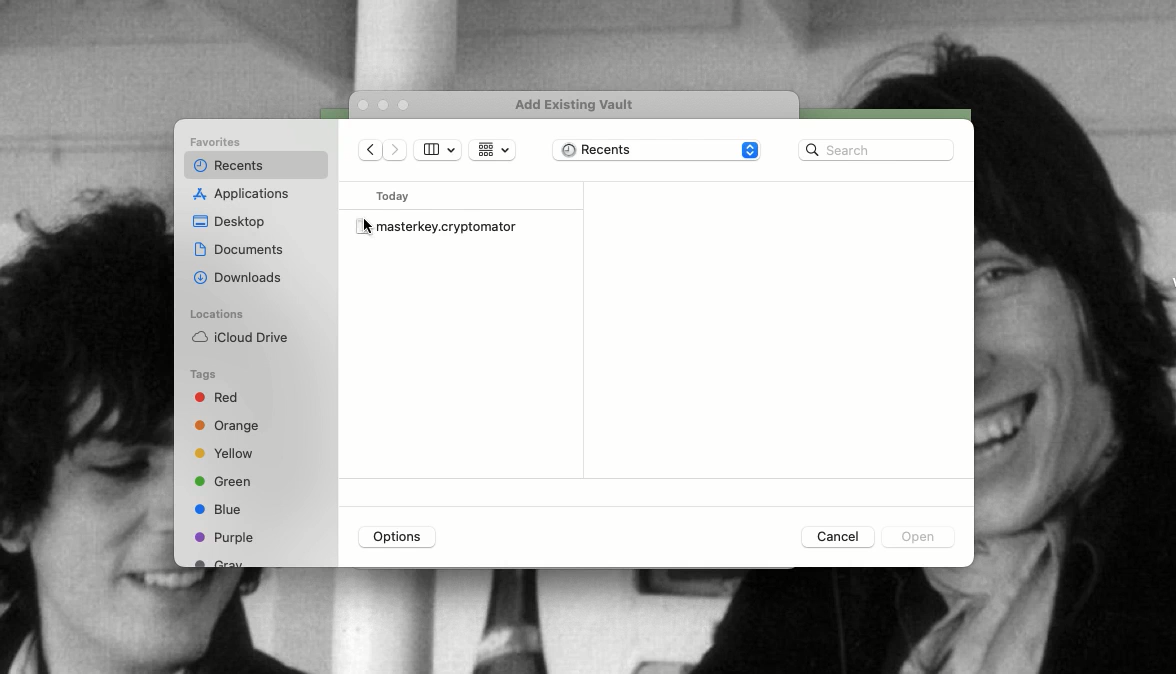  I want to click on Desktop, so click(230, 223).